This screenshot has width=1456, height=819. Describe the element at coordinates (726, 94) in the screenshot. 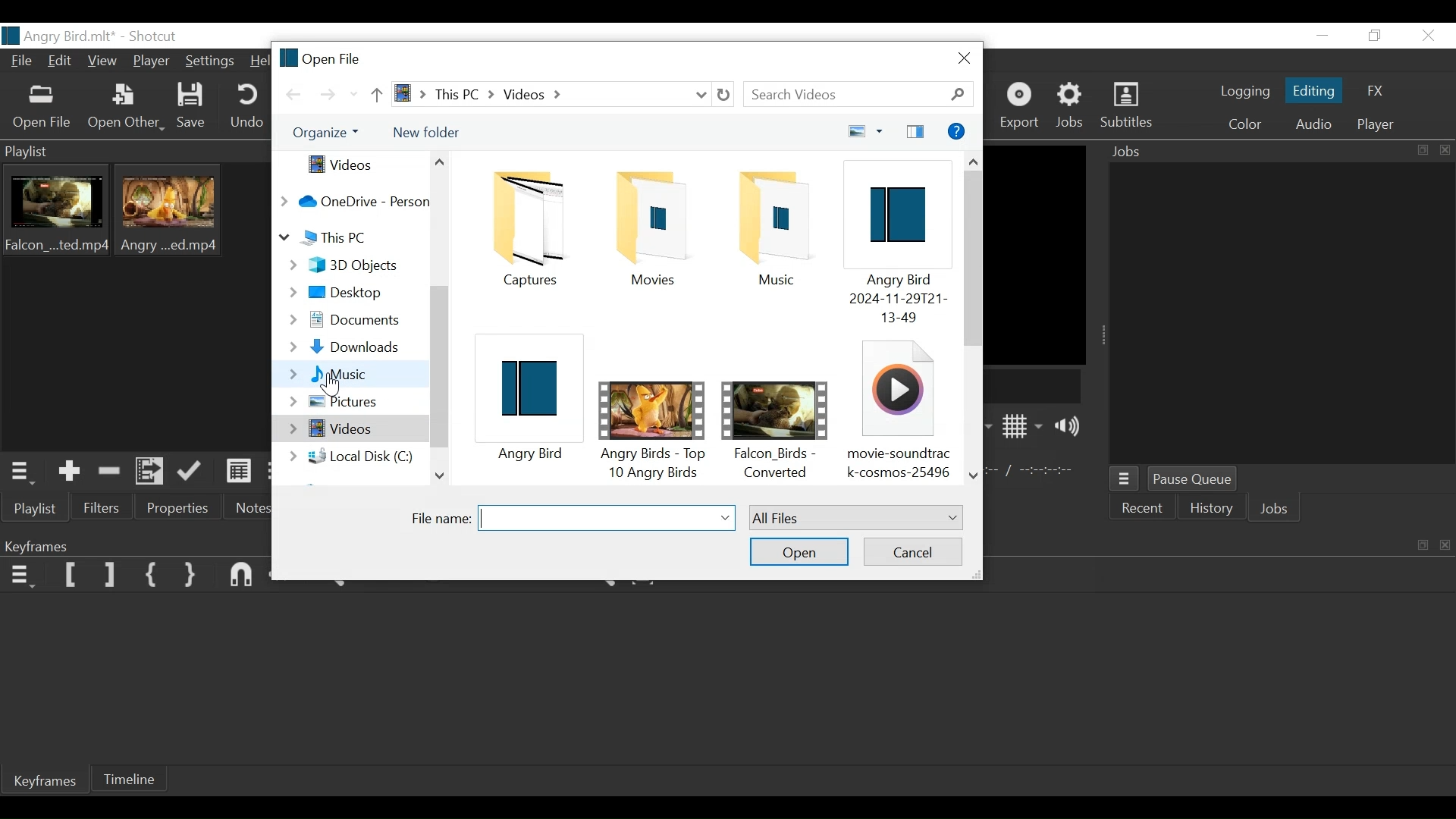

I see `Refresh` at that location.